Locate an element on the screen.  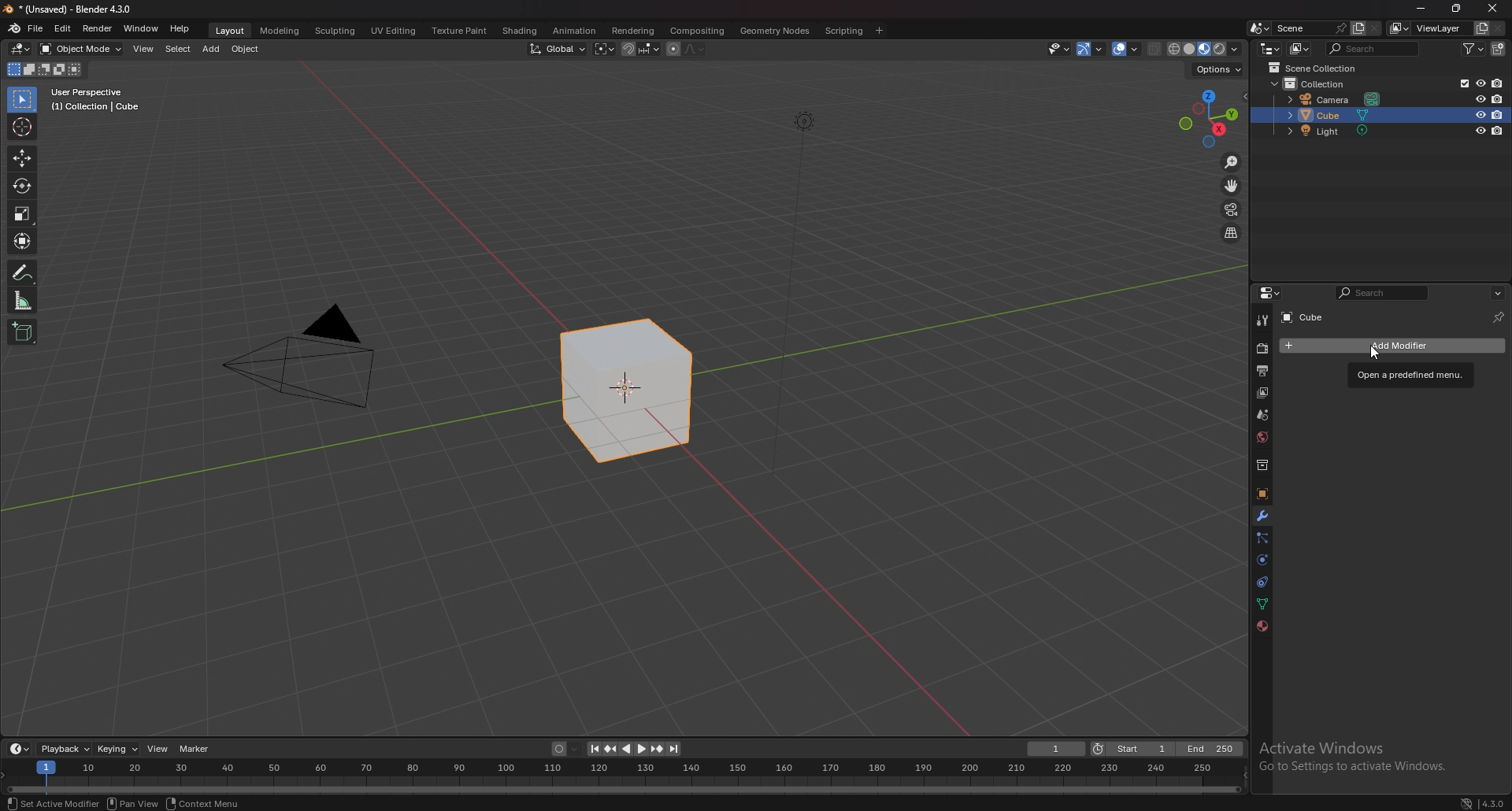
layout is located at coordinates (231, 30).